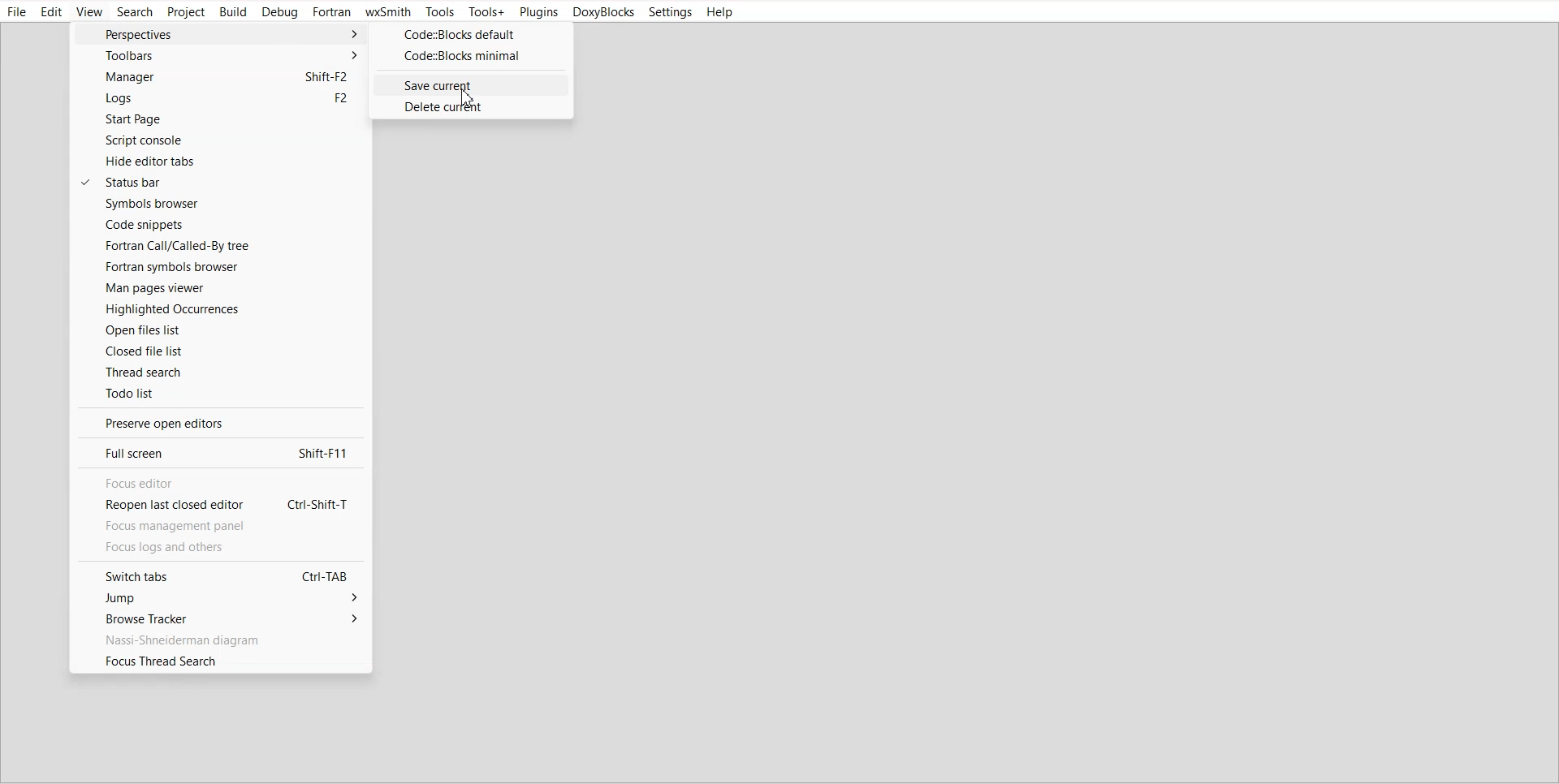 Image resolution: width=1559 pixels, height=784 pixels. I want to click on Project, so click(187, 13).